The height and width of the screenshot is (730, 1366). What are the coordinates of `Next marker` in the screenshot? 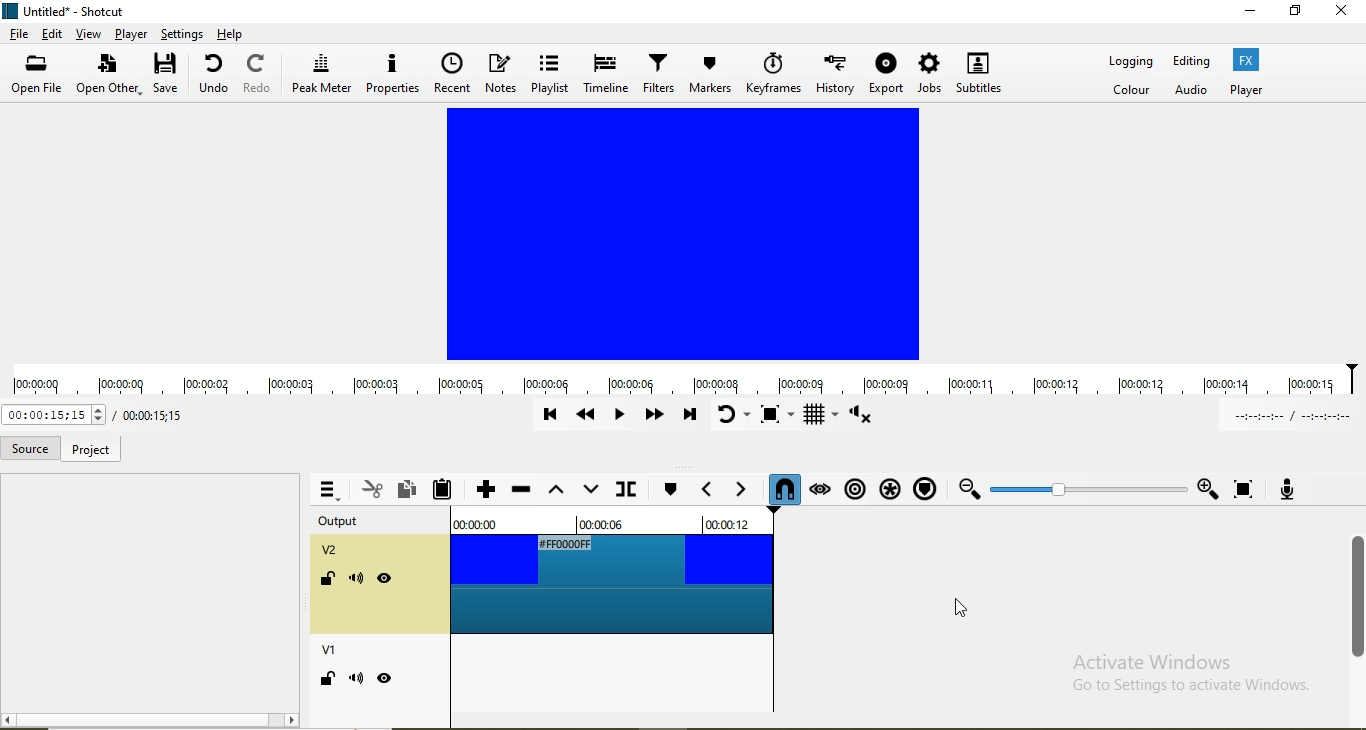 It's located at (736, 490).